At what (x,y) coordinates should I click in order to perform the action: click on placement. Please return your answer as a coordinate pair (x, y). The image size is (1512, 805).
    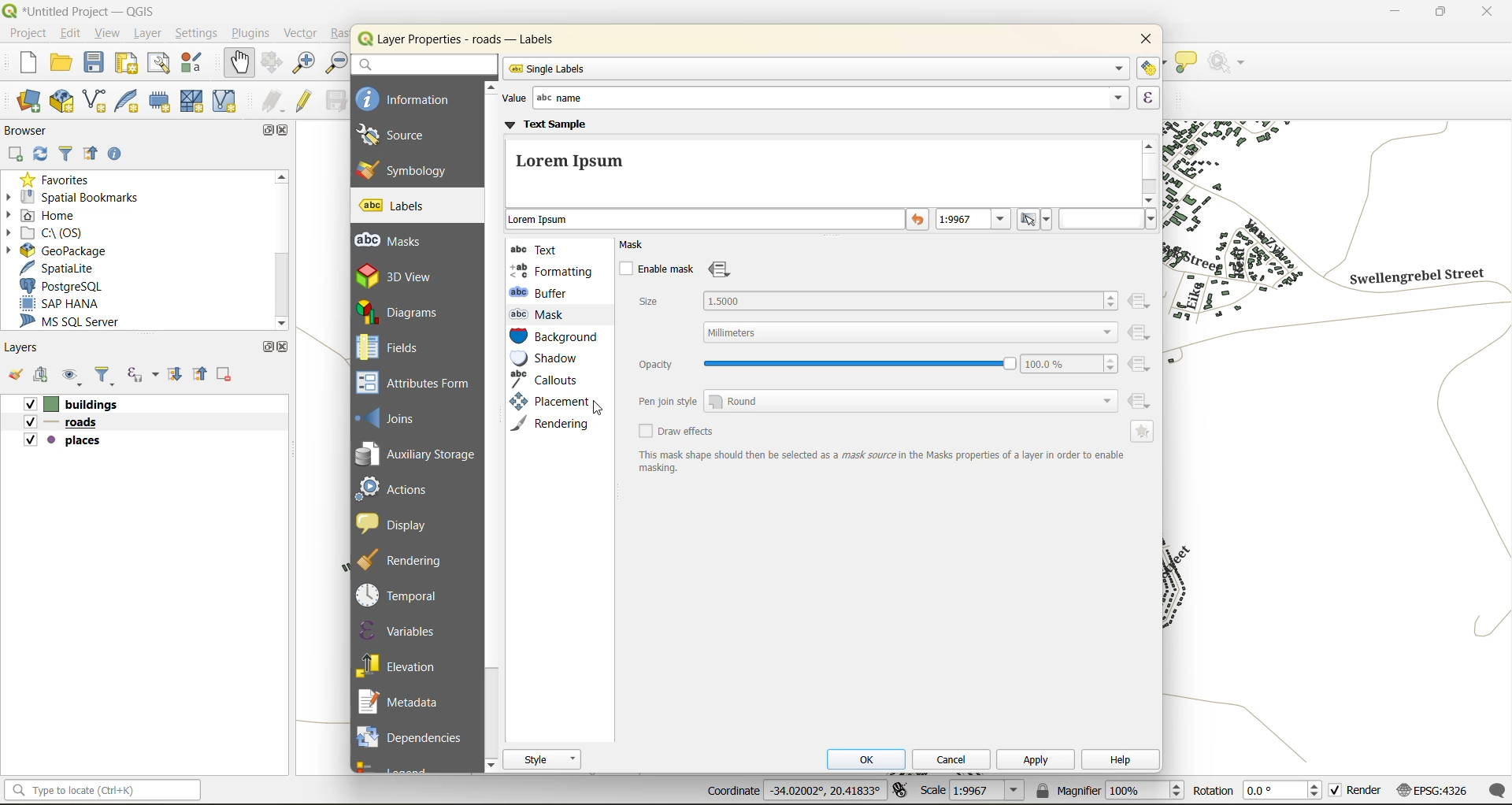
    Looking at the image, I should click on (547, 402).